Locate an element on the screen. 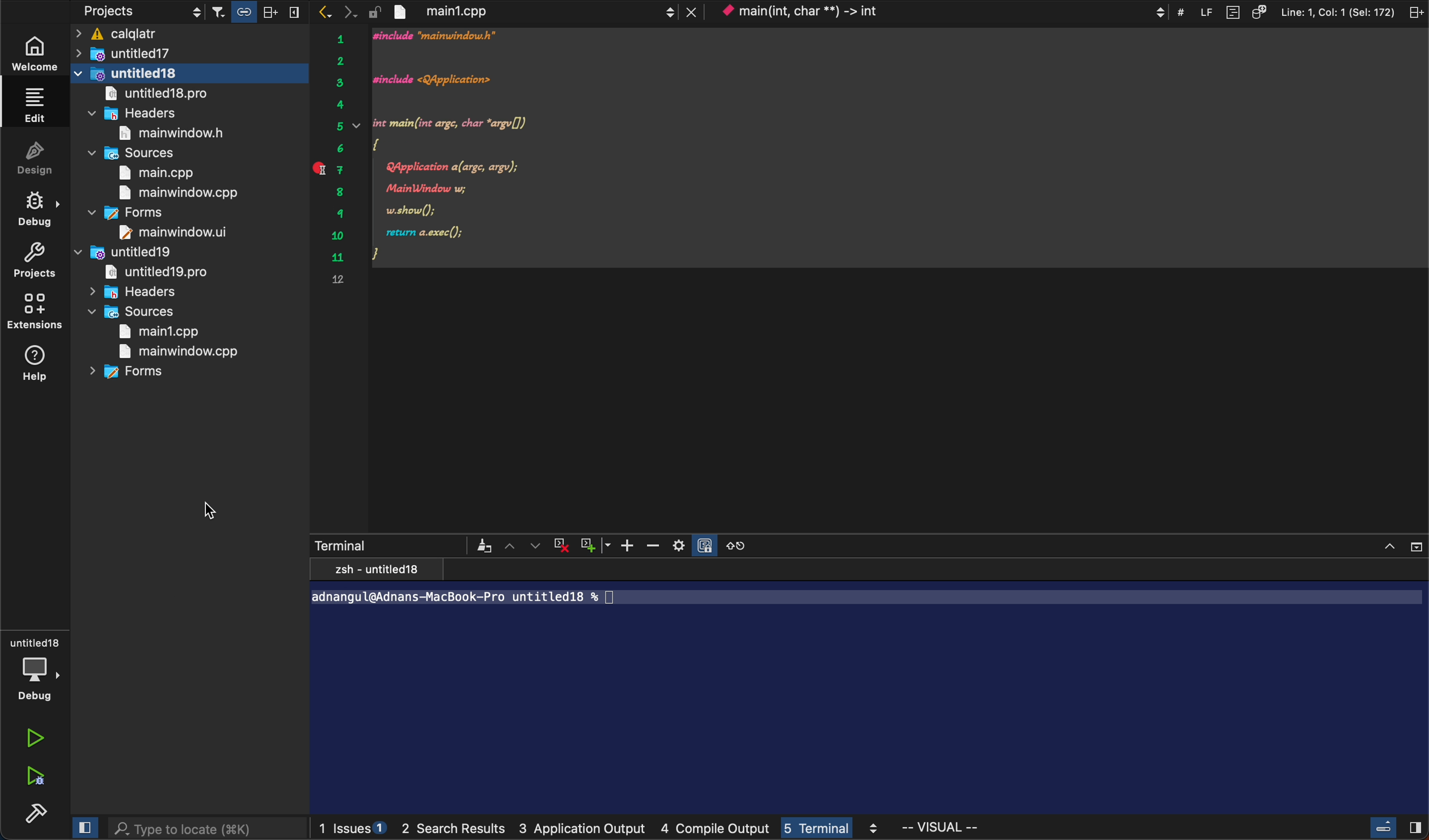 The image size is (1429, 840). previous is located at coordinates (324, 12).